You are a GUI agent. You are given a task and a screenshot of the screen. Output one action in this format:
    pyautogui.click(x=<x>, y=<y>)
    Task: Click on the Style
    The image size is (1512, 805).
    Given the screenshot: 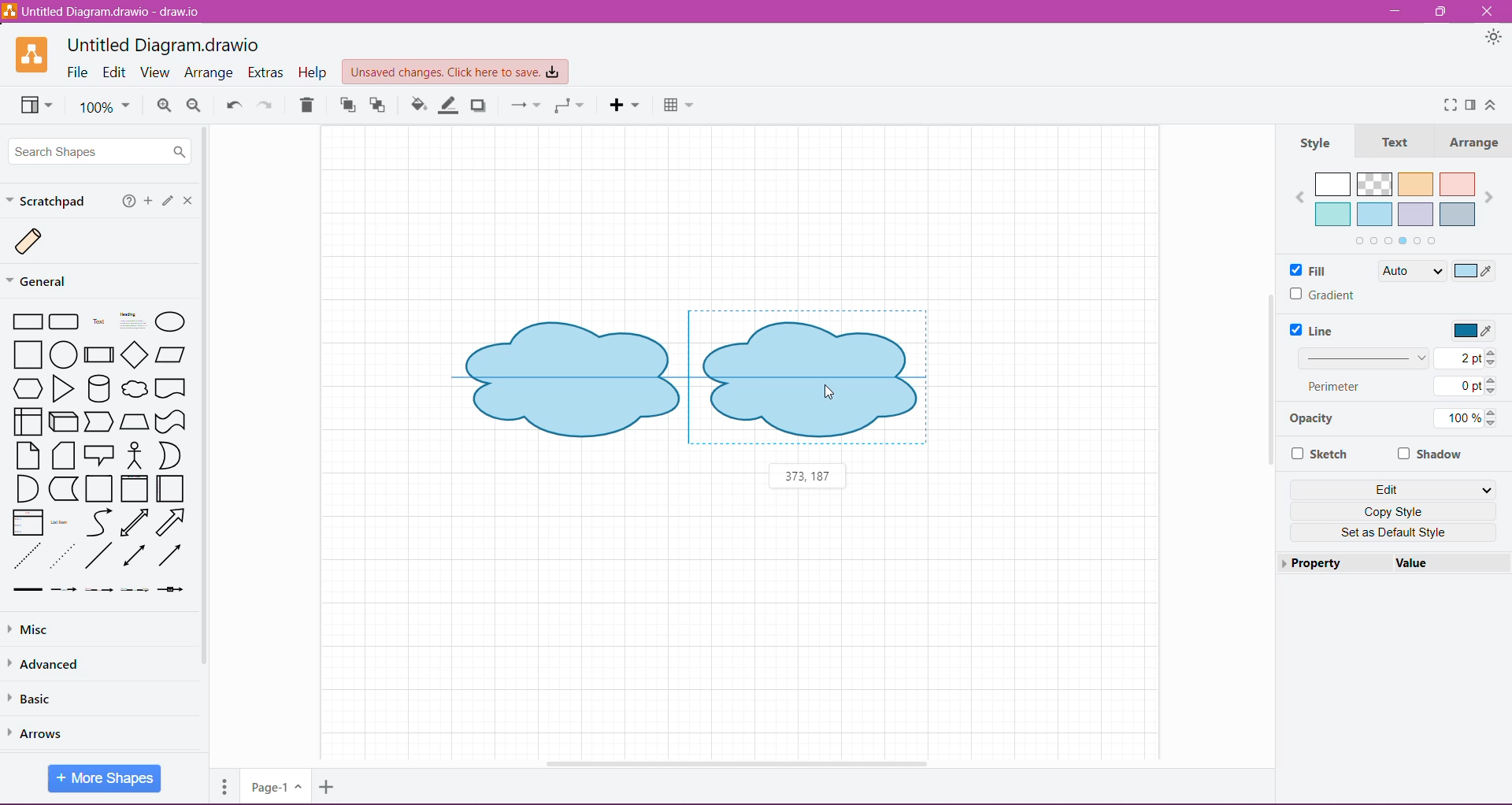 What is the action you would take?
    pyautogui.click(x=1317, y=144)
    